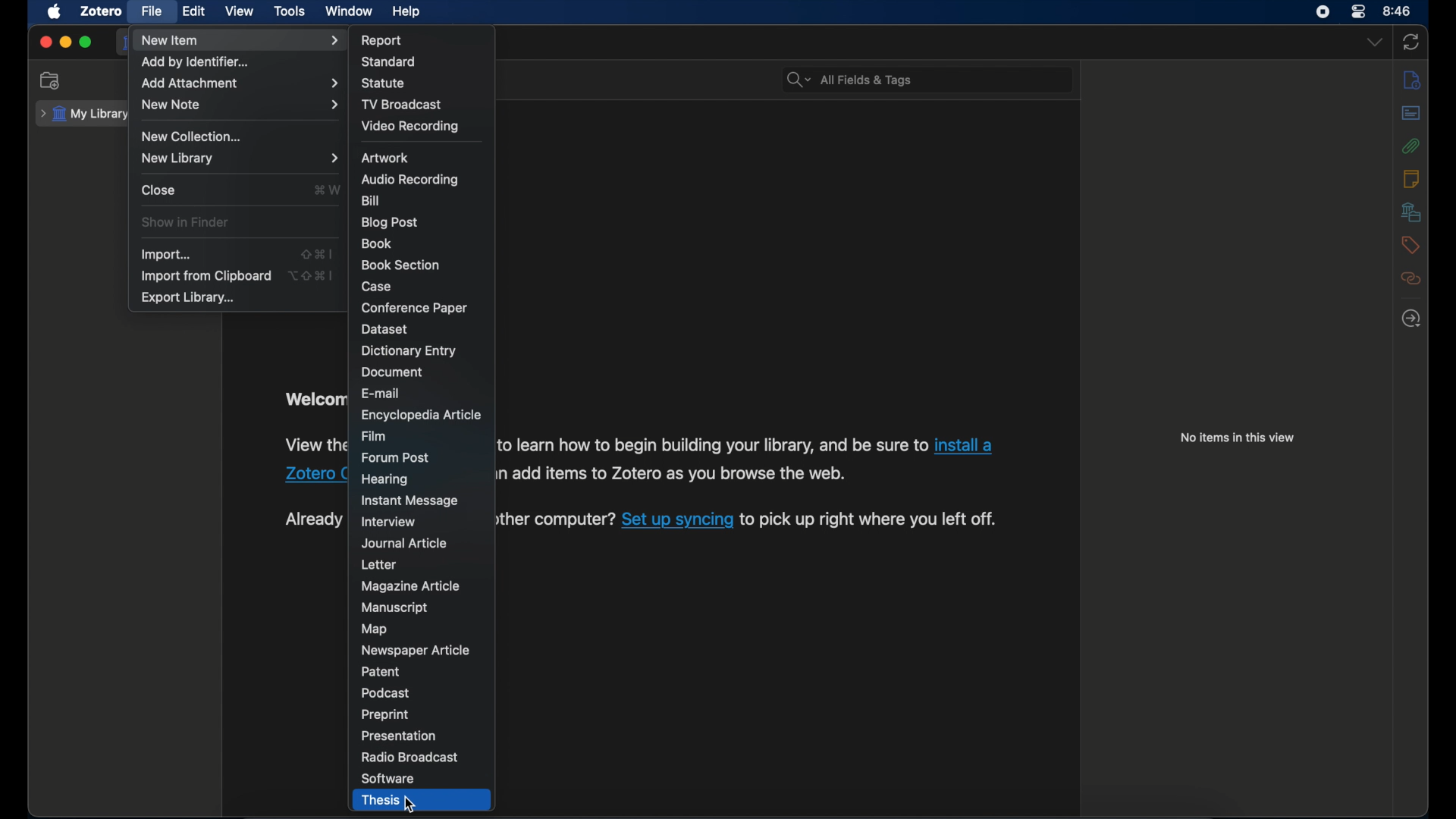  Describe the element at coordinates (400, 736) in the screenshot. I see `presentation` at that location.